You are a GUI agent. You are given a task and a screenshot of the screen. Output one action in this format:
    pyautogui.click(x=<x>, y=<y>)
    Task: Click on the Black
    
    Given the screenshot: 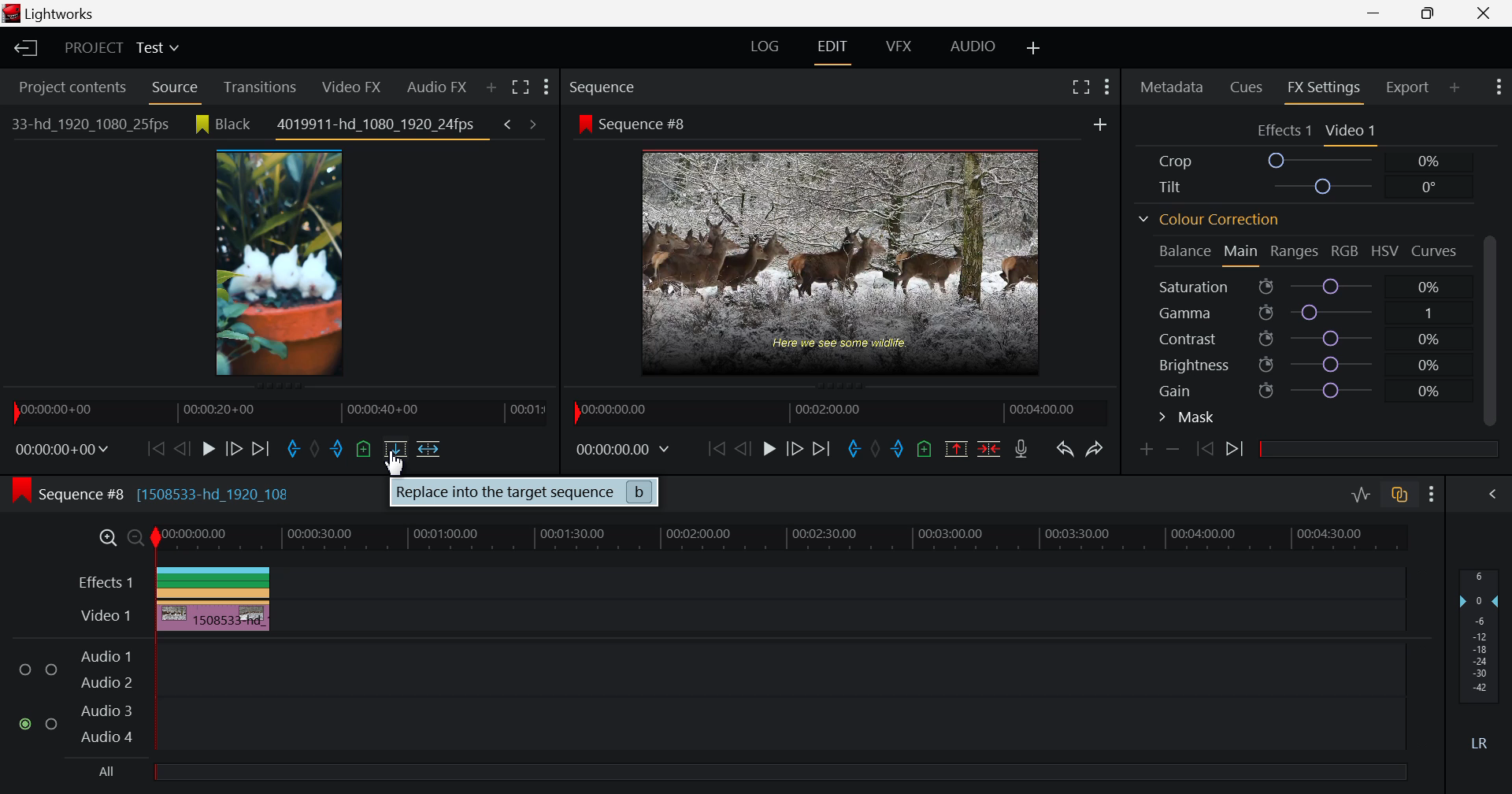 What is the action you would take?
    pyautogui.click(x=221, y=124)
    